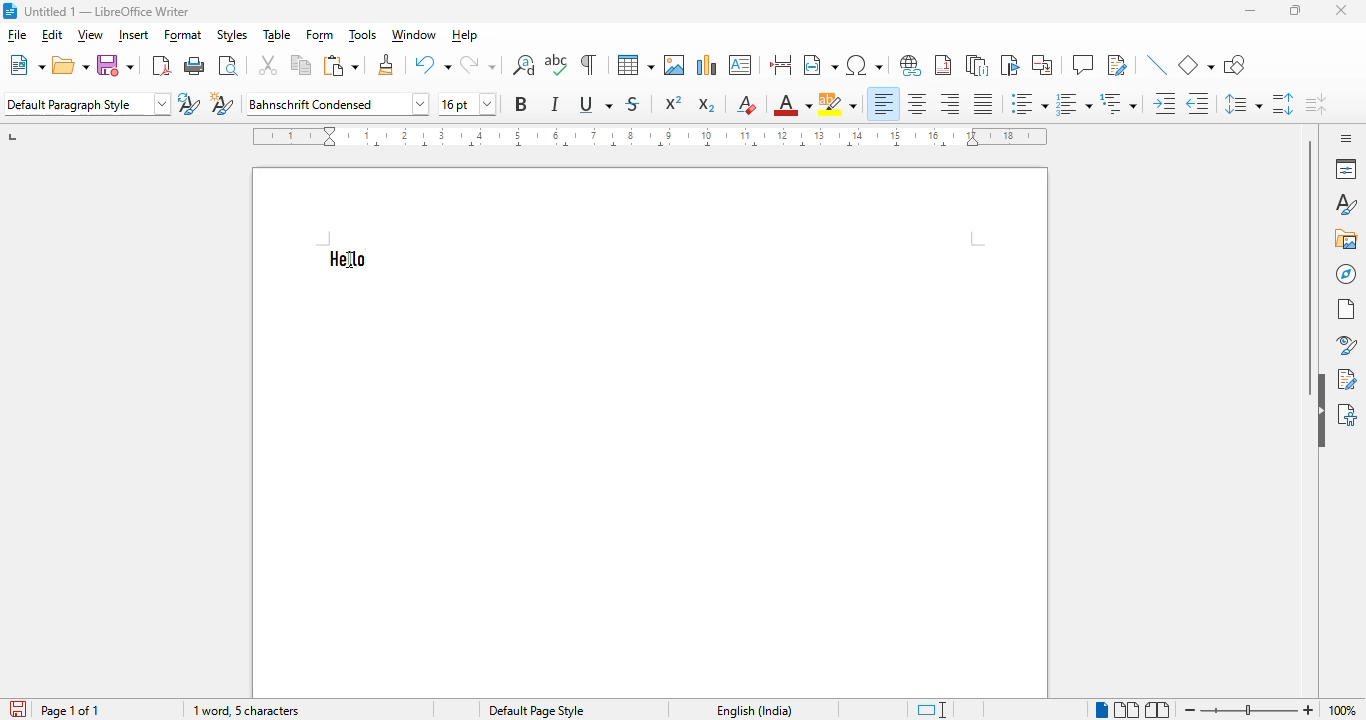  I want to click on font size, so click(468, 104).